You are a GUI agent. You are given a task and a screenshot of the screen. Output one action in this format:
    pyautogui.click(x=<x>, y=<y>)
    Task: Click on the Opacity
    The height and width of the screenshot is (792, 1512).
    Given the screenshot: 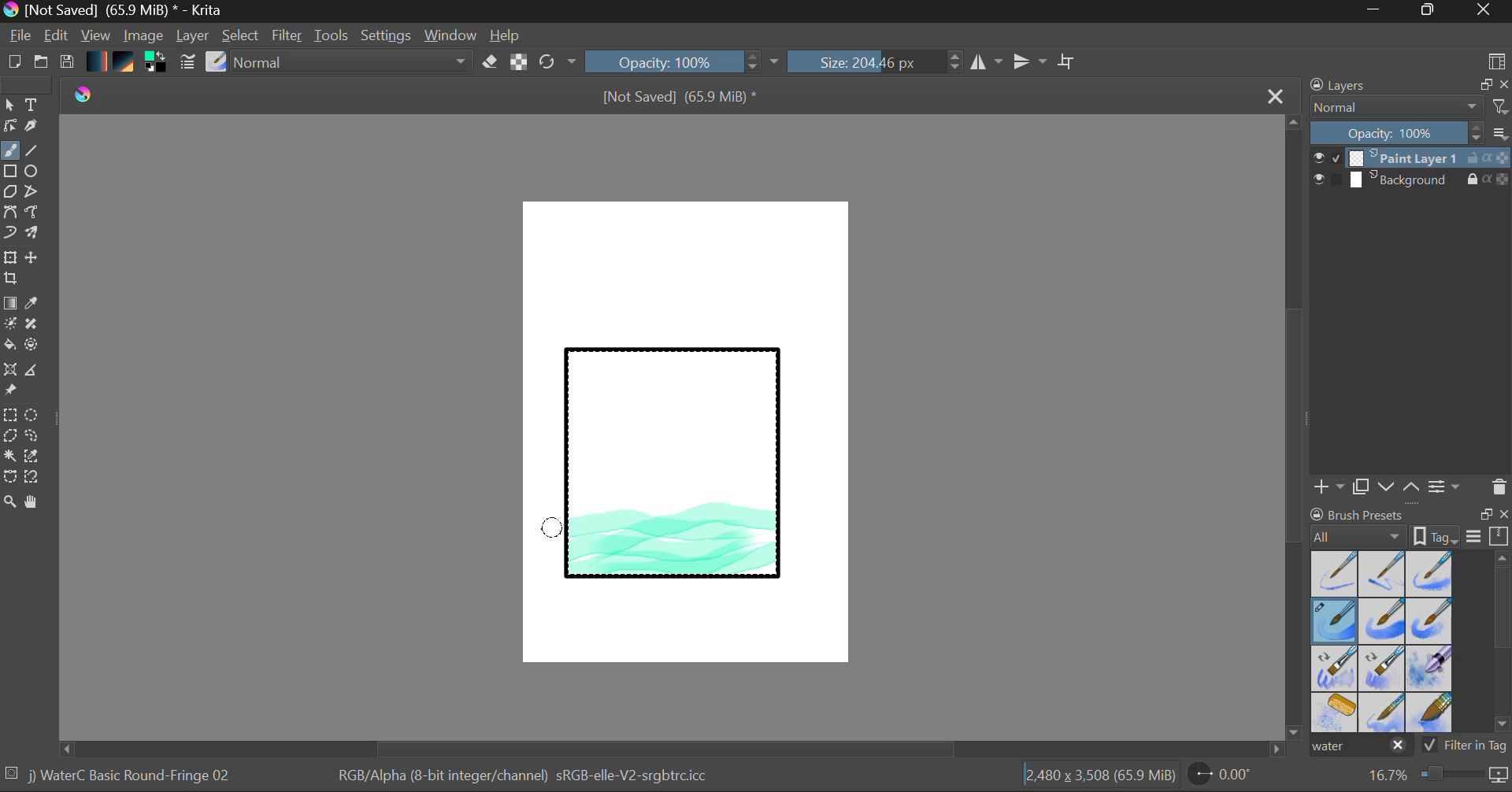 What is the action you would take?
    pyautogui.click(x=684, y=61)
    